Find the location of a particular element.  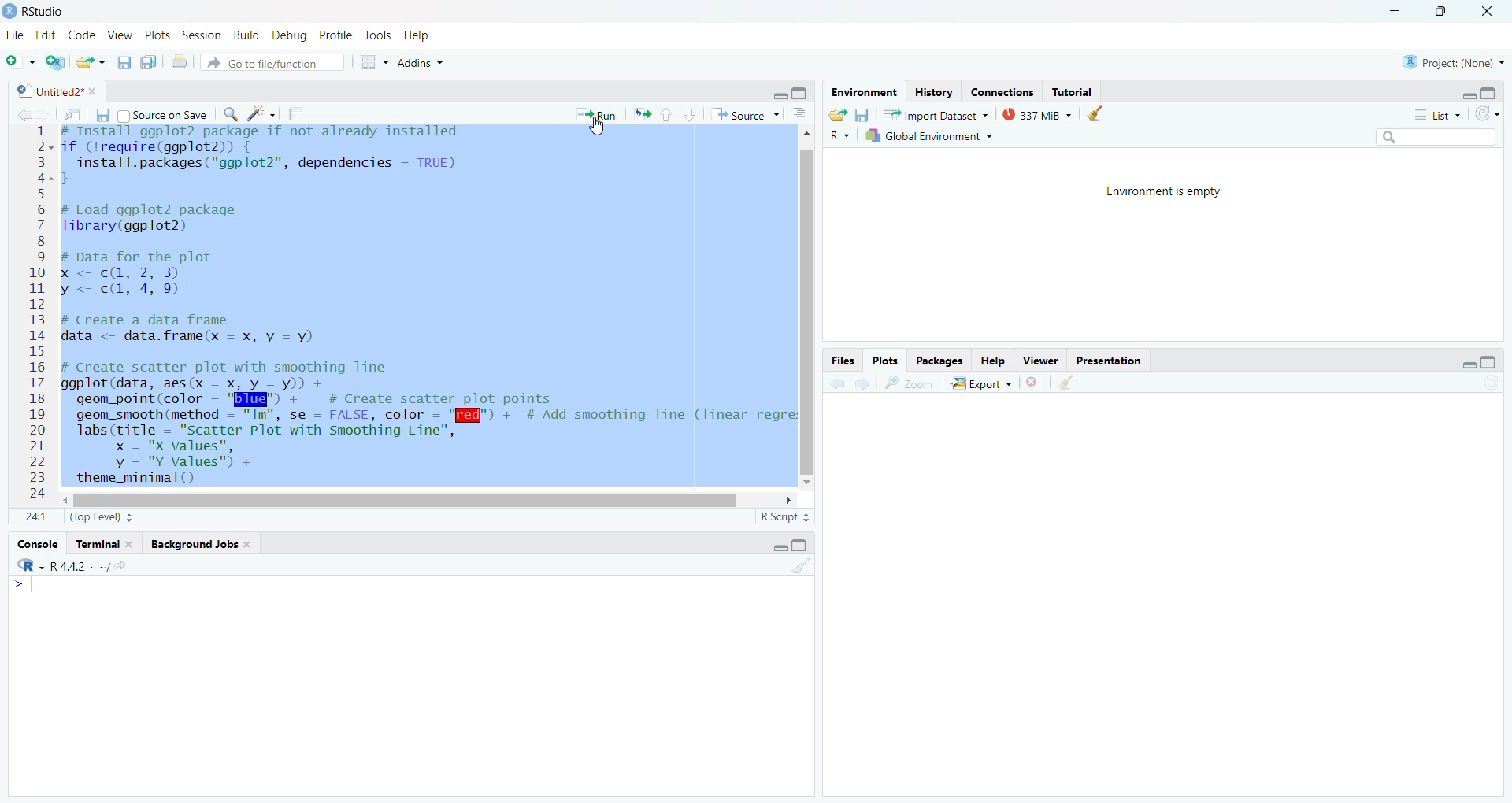

 Import Dataset ~ is located at coordinates (941, 117).